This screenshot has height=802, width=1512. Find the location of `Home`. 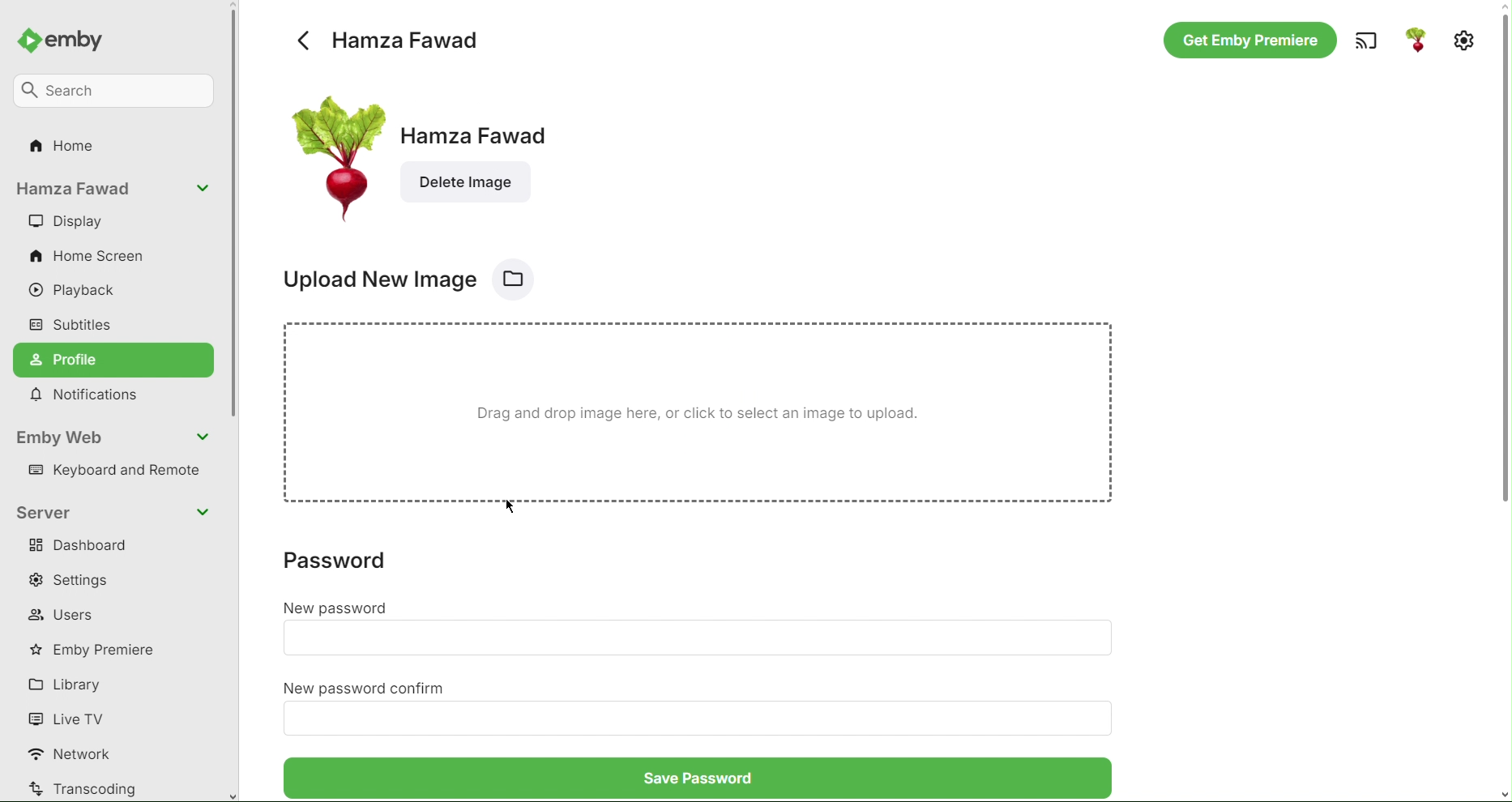

Home is located at coordinates (66, 150).